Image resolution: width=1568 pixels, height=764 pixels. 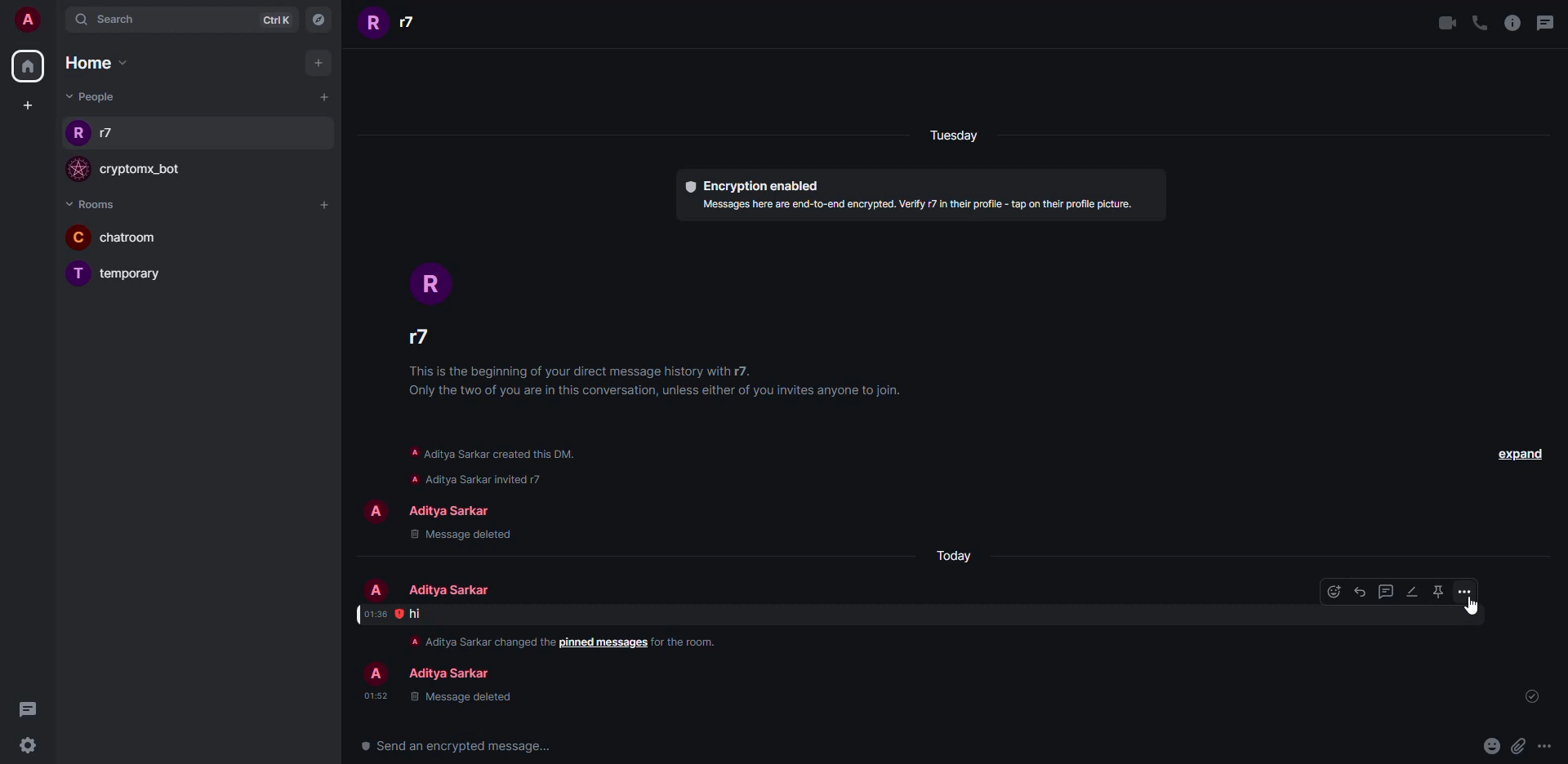 What do you see at coordinates (144, 171) in the screenshot?
I see `bot` at bounding box center [144, 171].